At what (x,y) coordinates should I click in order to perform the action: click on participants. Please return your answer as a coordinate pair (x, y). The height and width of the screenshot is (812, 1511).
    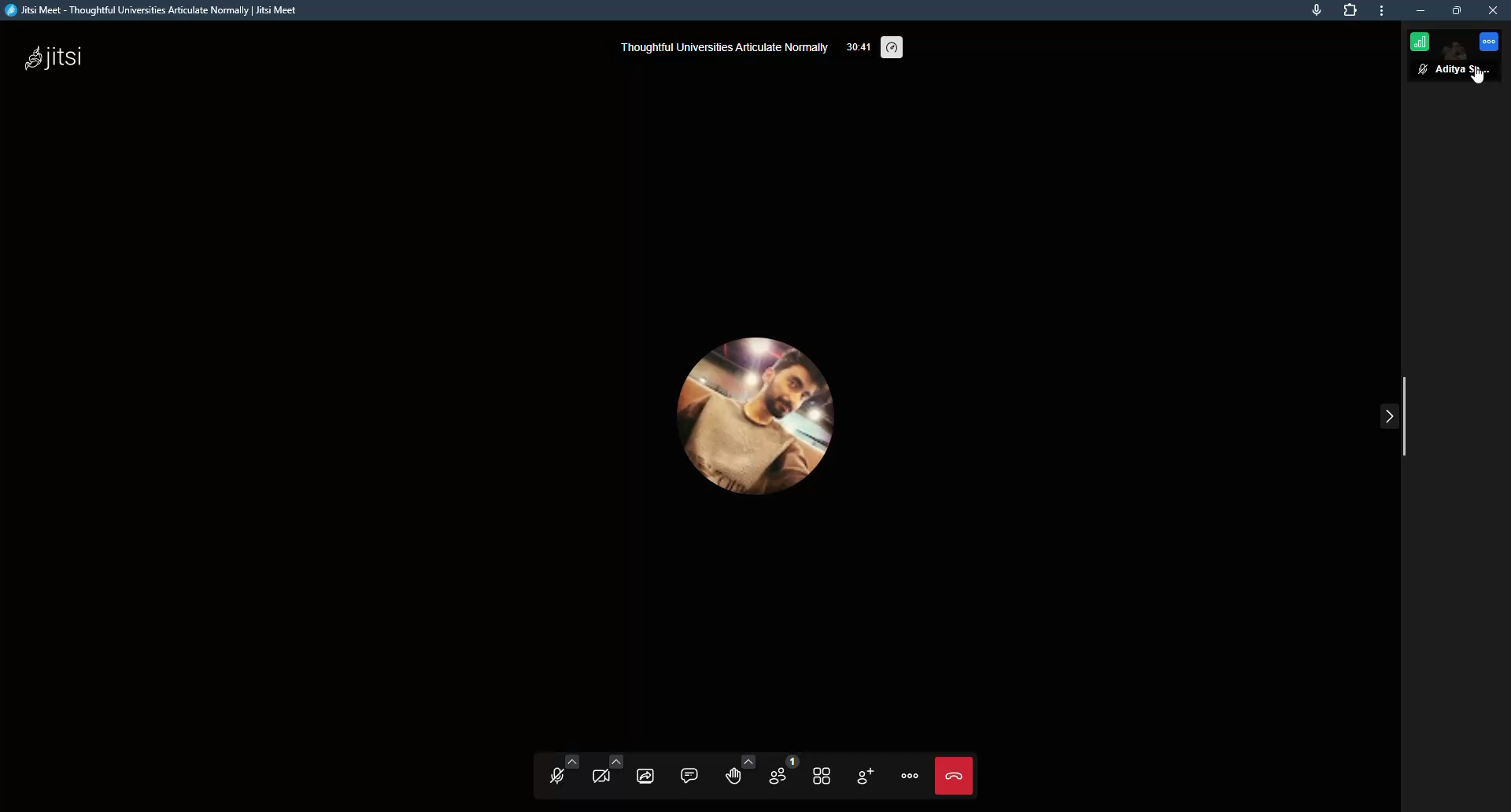
    Looking at the image, I should click on (779, 773).